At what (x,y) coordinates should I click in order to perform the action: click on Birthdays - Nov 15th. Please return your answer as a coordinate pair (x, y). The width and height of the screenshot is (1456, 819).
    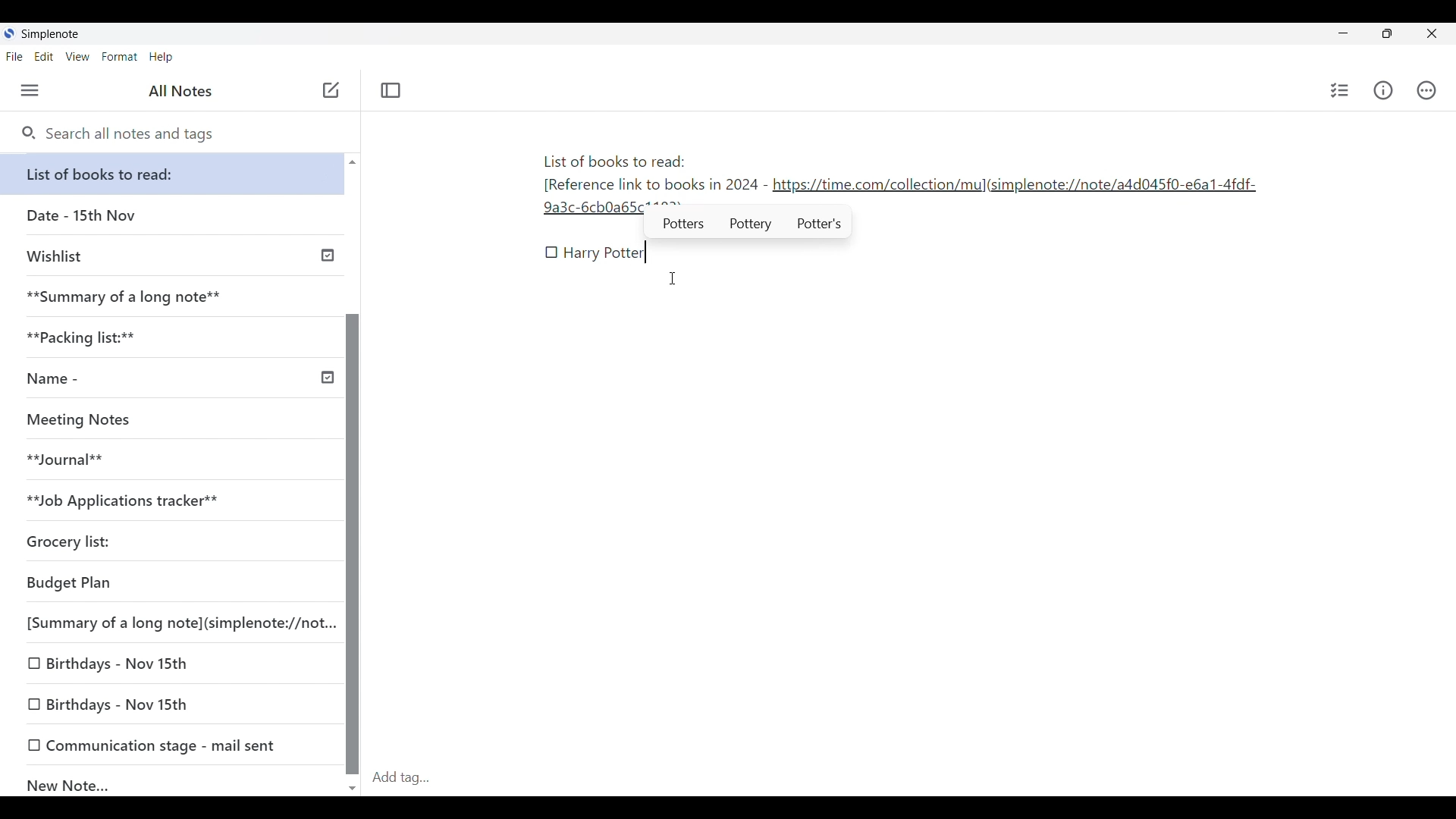
    Looking at the image, I should click on (174, 705).